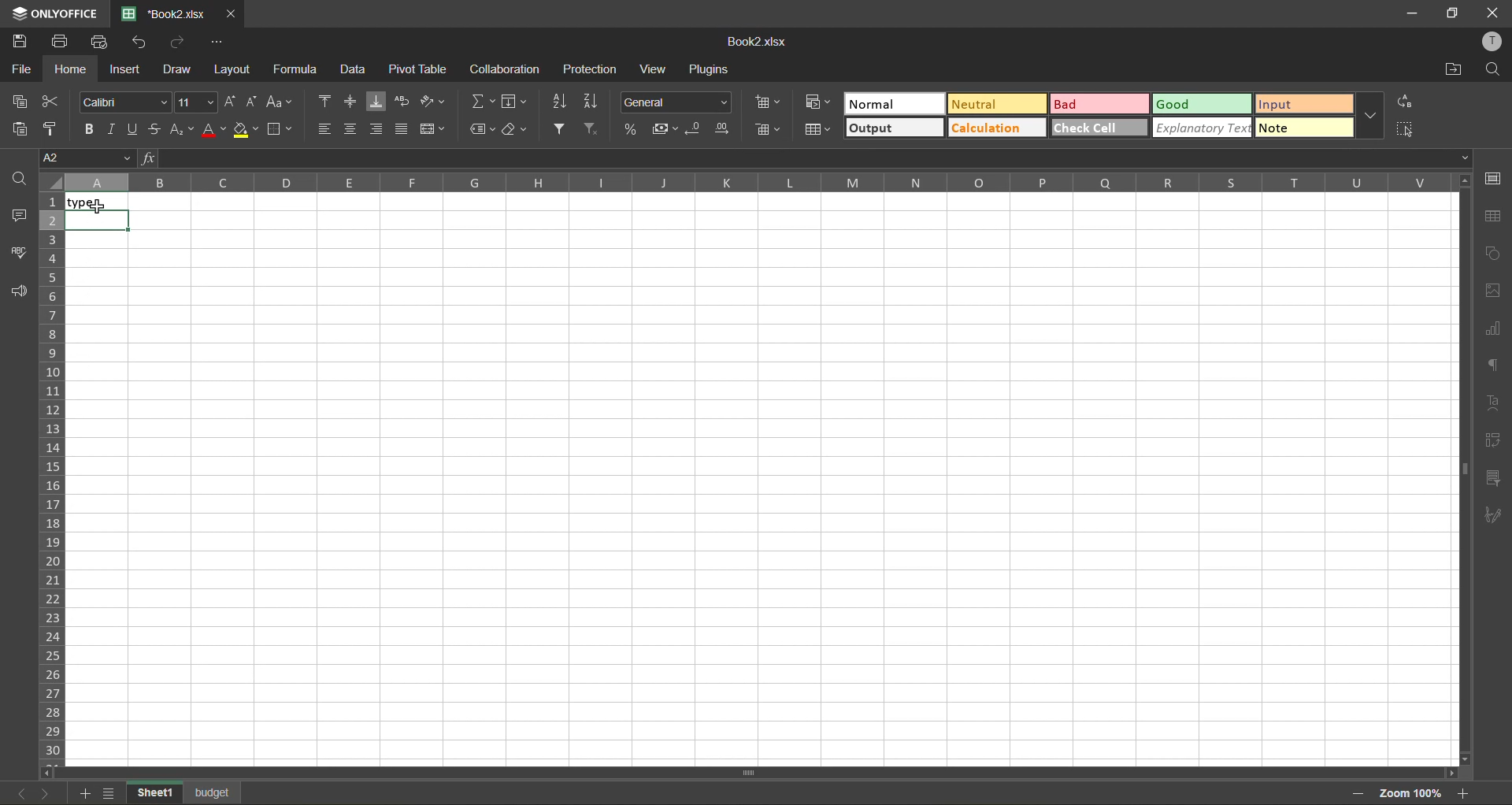 The width and height of the screenshot is (1512, 805). I want to click on decrease decimal, so click(699, 129).